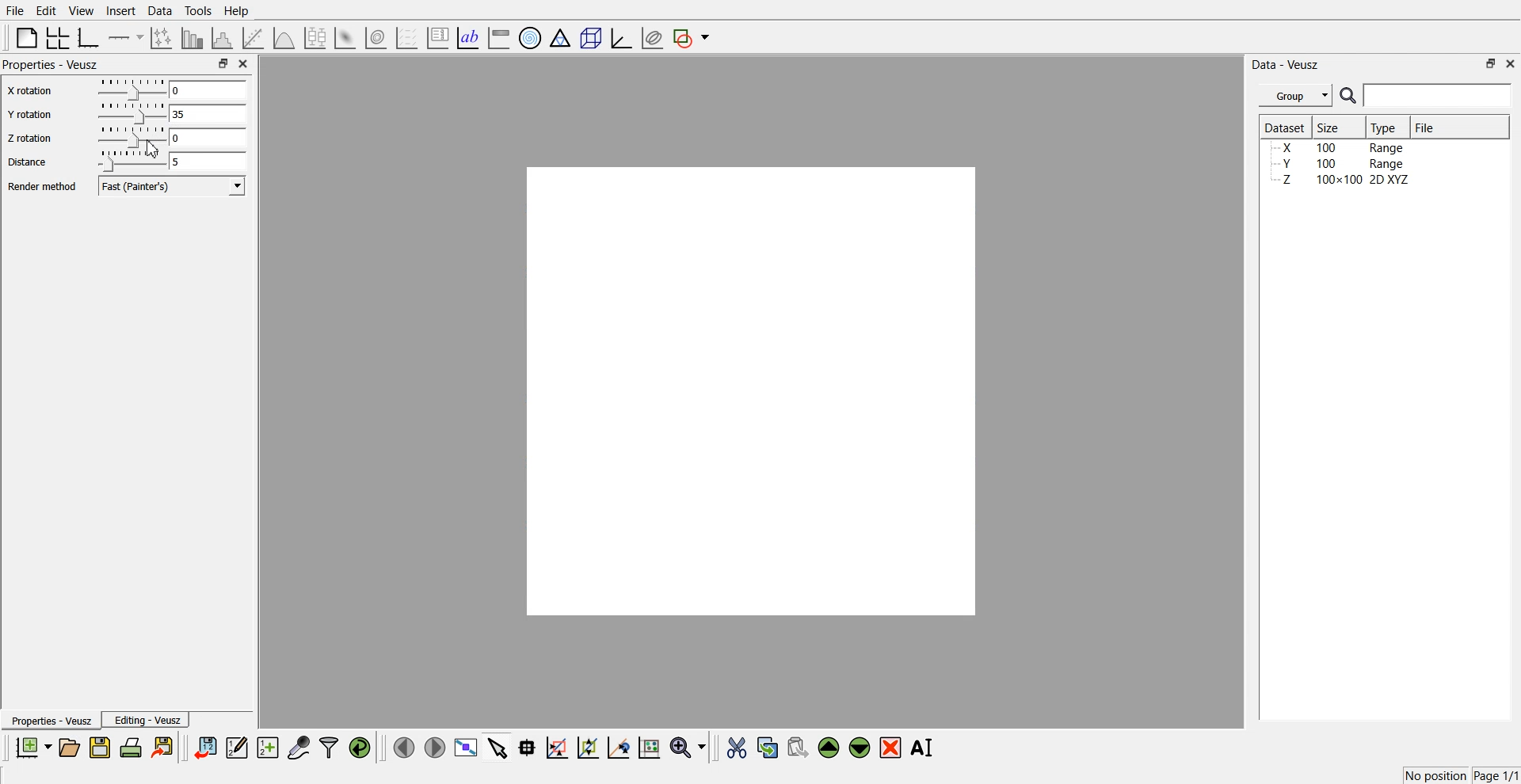 The image size is (1521, 784). What do you see at coordinates (58, 39) in the screenshot?
I see `Arrange graph in grid` at bounding box center [58, 39].